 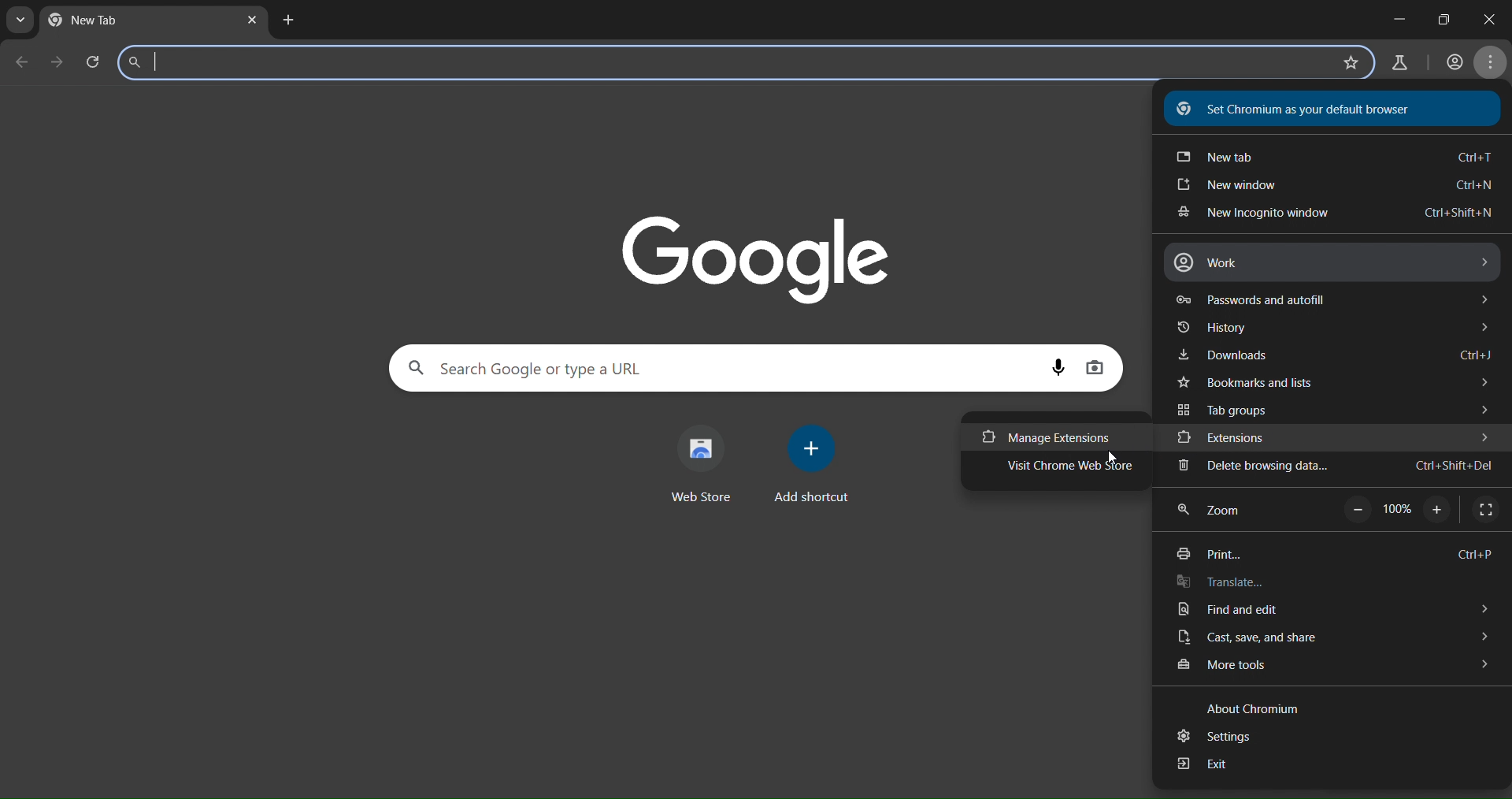 What do you see at coordinates (1050, 437) in the screenshot?
I see `manage extensions` at bounding box center [1050, 437].